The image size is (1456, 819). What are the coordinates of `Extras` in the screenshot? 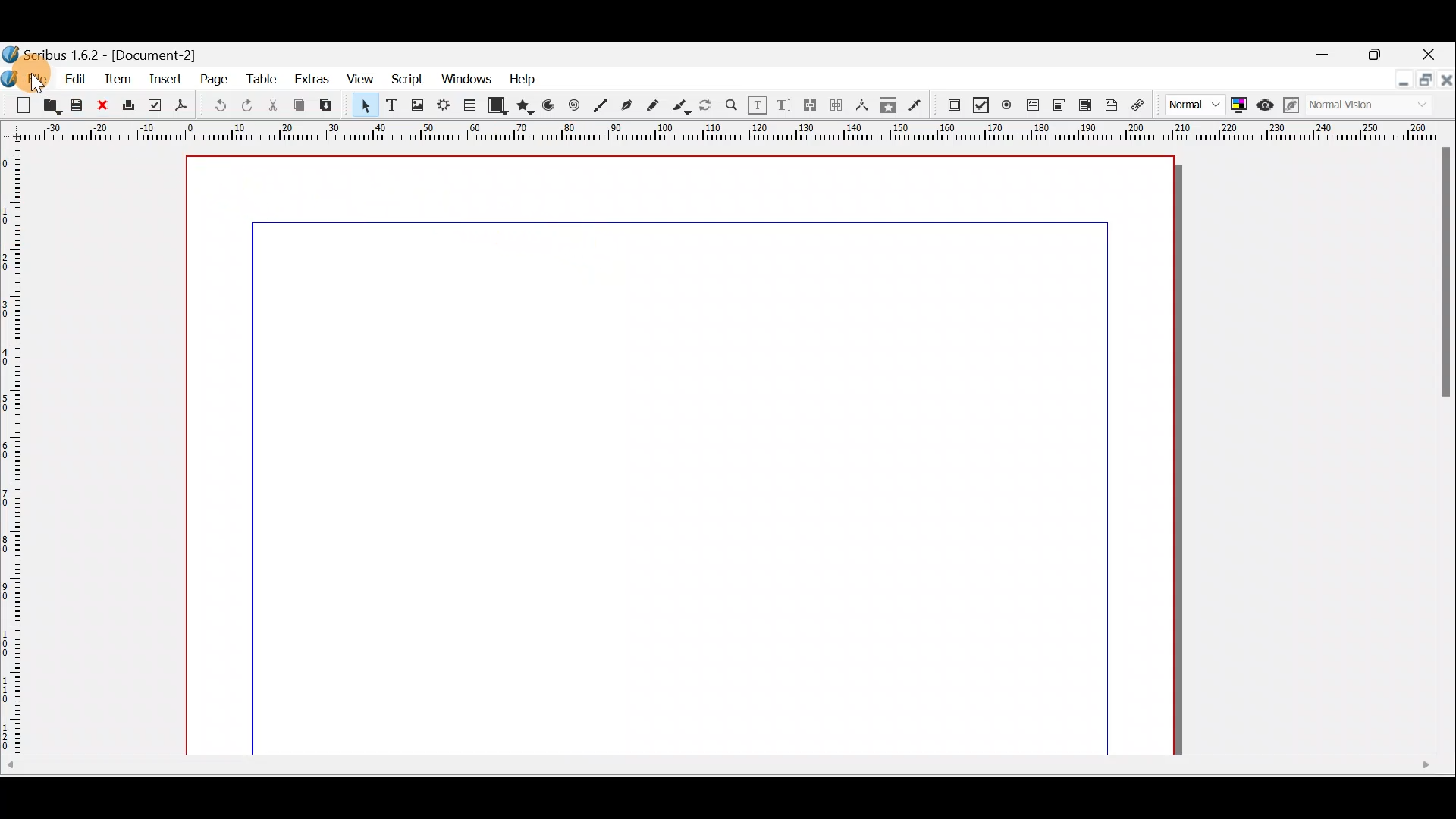 It's located at (311, 77).